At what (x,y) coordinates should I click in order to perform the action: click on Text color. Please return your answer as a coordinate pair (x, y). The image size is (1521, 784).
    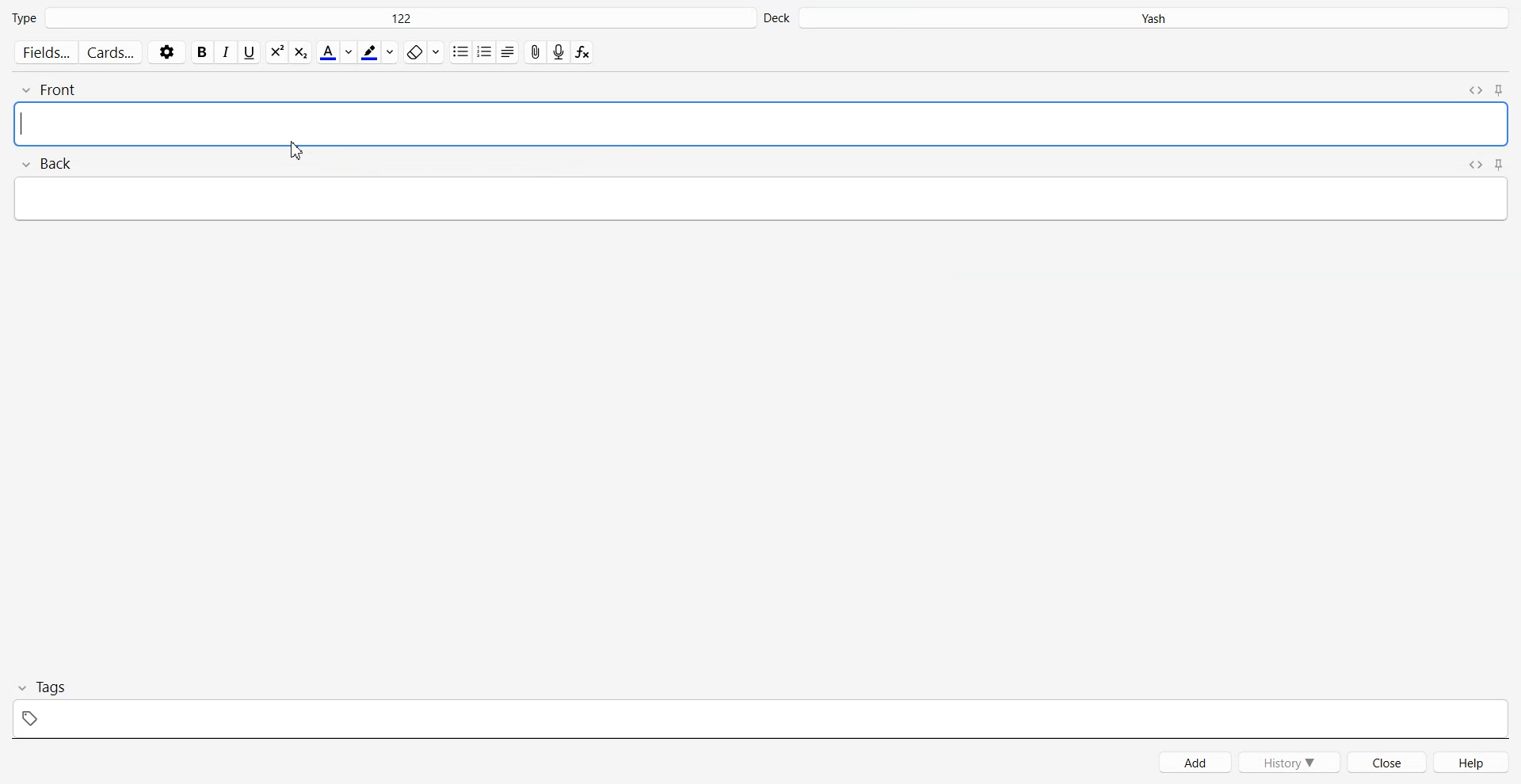
    Looking at the image, I should click on (336, 51).